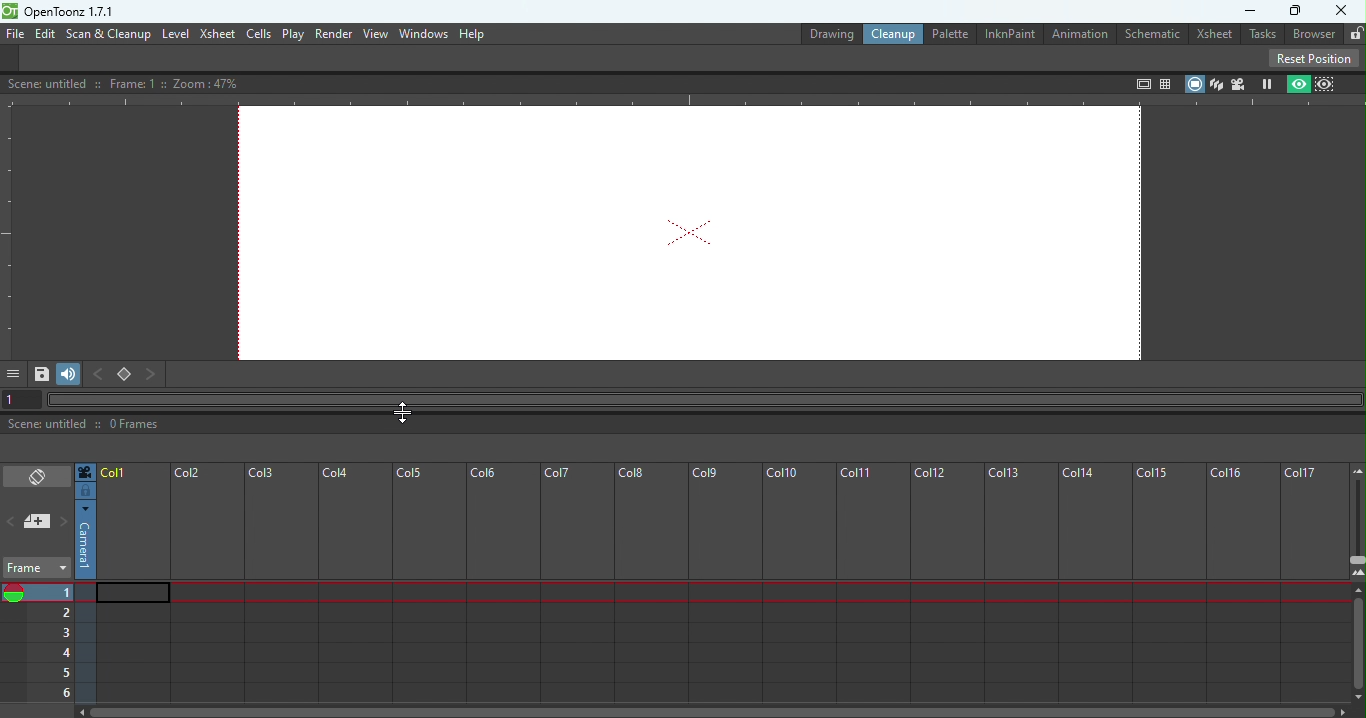  What do you see at coordinates (1244, 11) in the screenshot?
I see `Minimize` at bounding box center [1244, 11].